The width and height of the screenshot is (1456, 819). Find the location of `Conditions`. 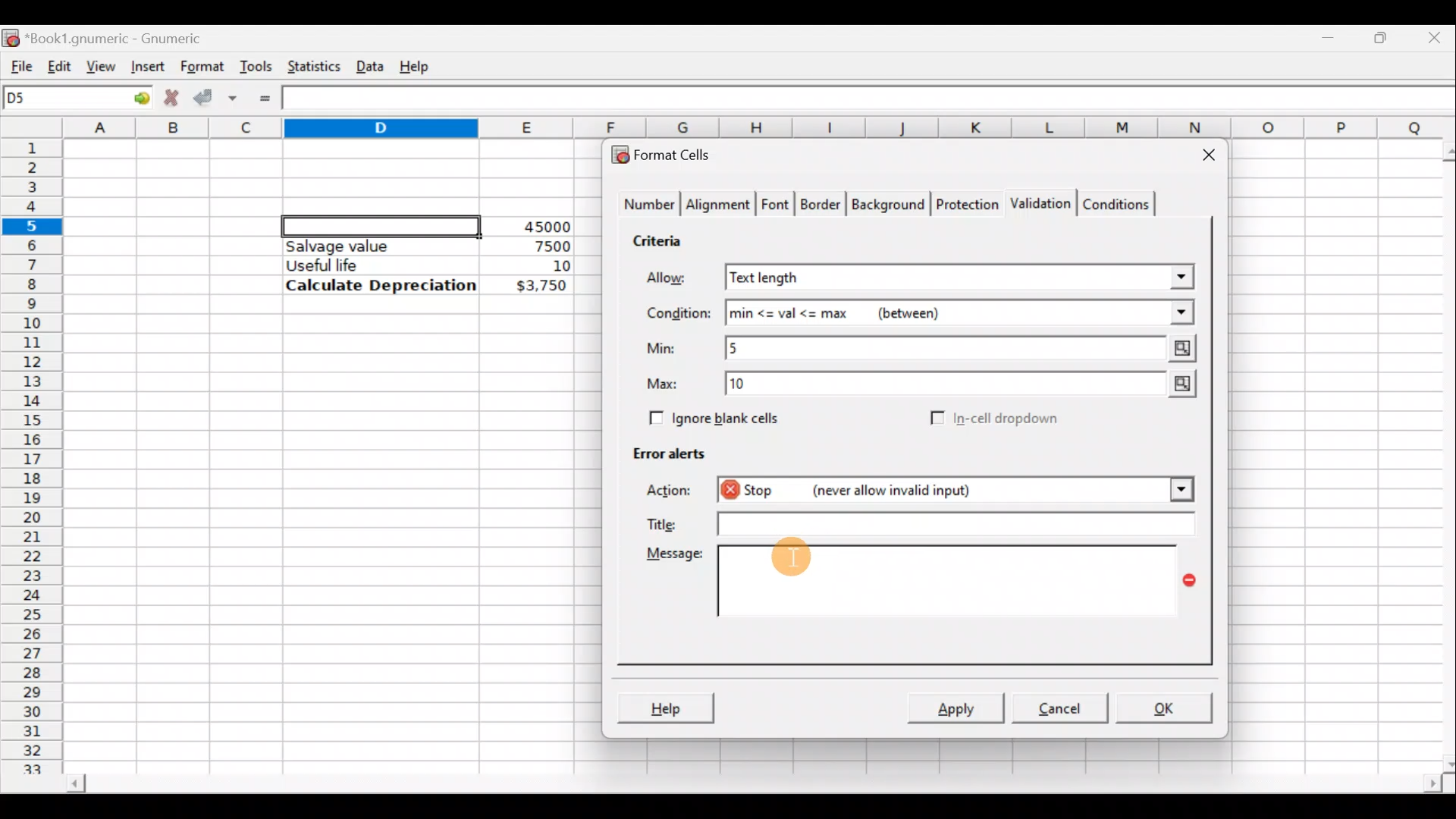

Conditions is located at coordinates (1116, 203).